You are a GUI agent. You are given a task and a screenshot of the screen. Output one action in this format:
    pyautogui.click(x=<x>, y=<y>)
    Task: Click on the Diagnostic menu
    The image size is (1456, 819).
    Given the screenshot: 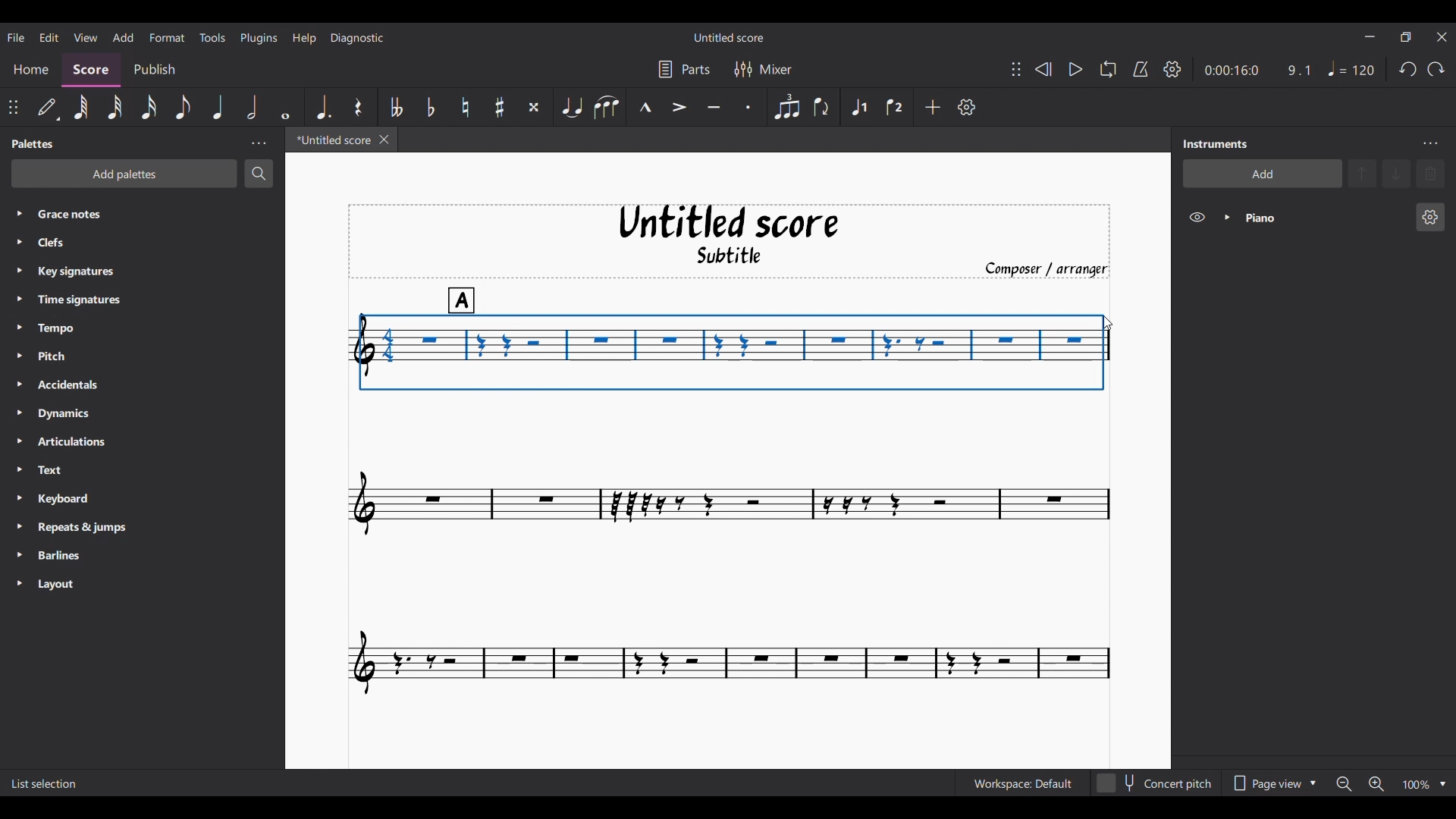 What is the action you would take?
    pyautogui.click(x=358, y=38)
    